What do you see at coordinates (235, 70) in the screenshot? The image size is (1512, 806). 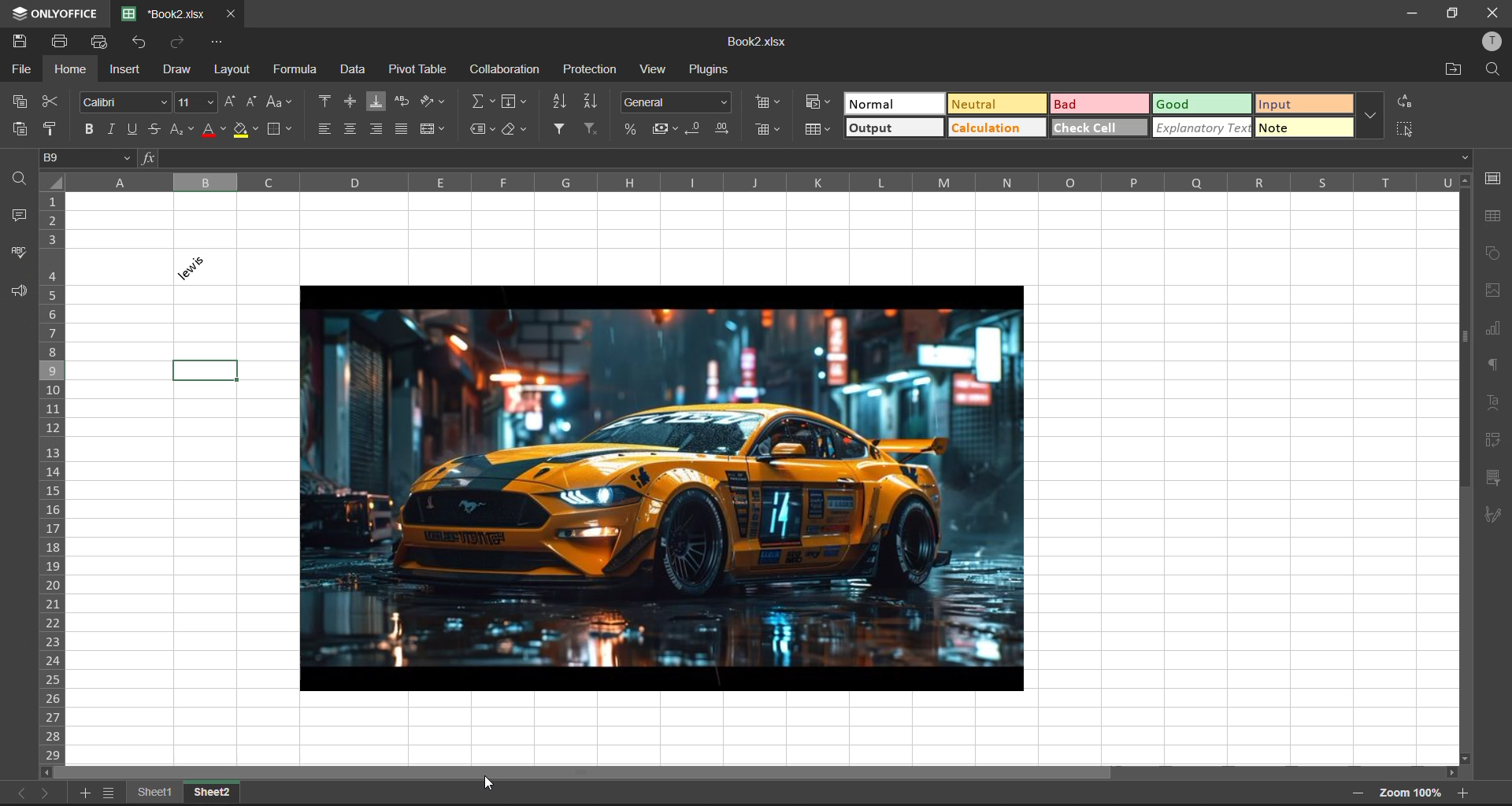 I see `layout` at bounding box center [235, 70].